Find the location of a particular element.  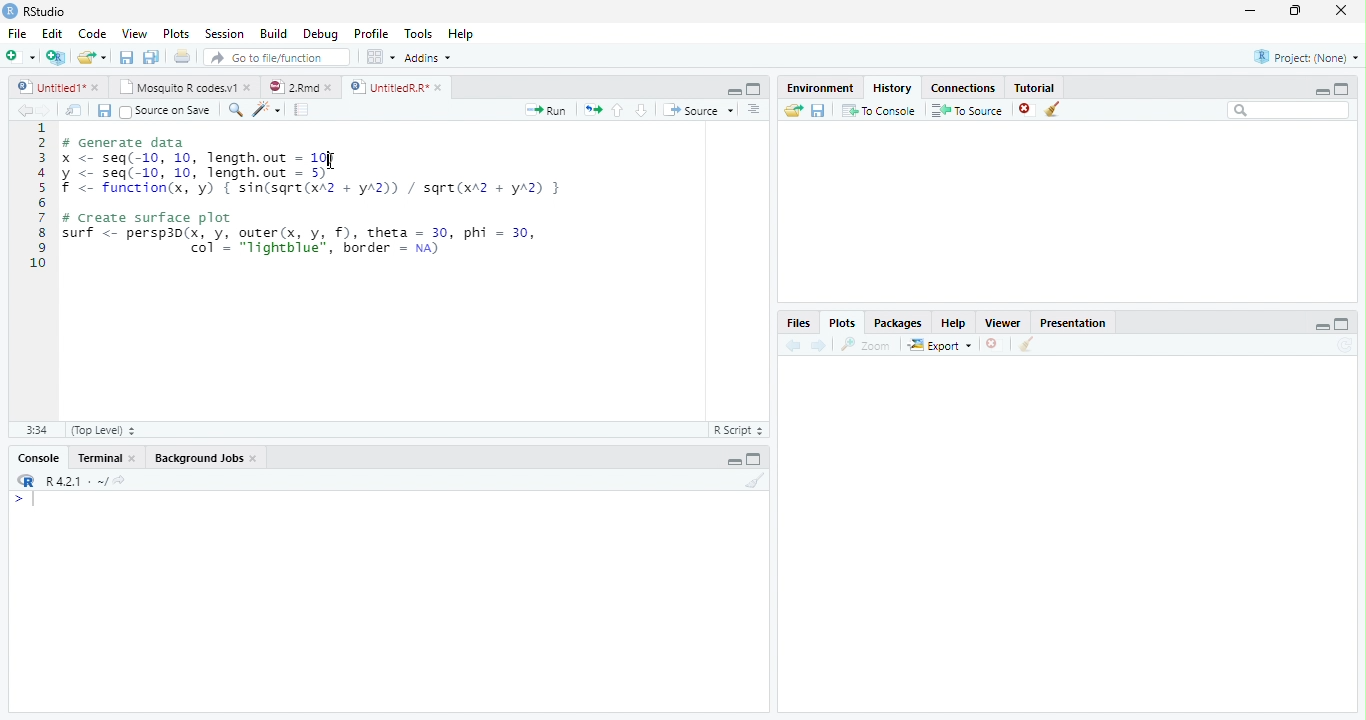

Run is located at coordinates (544, 110).